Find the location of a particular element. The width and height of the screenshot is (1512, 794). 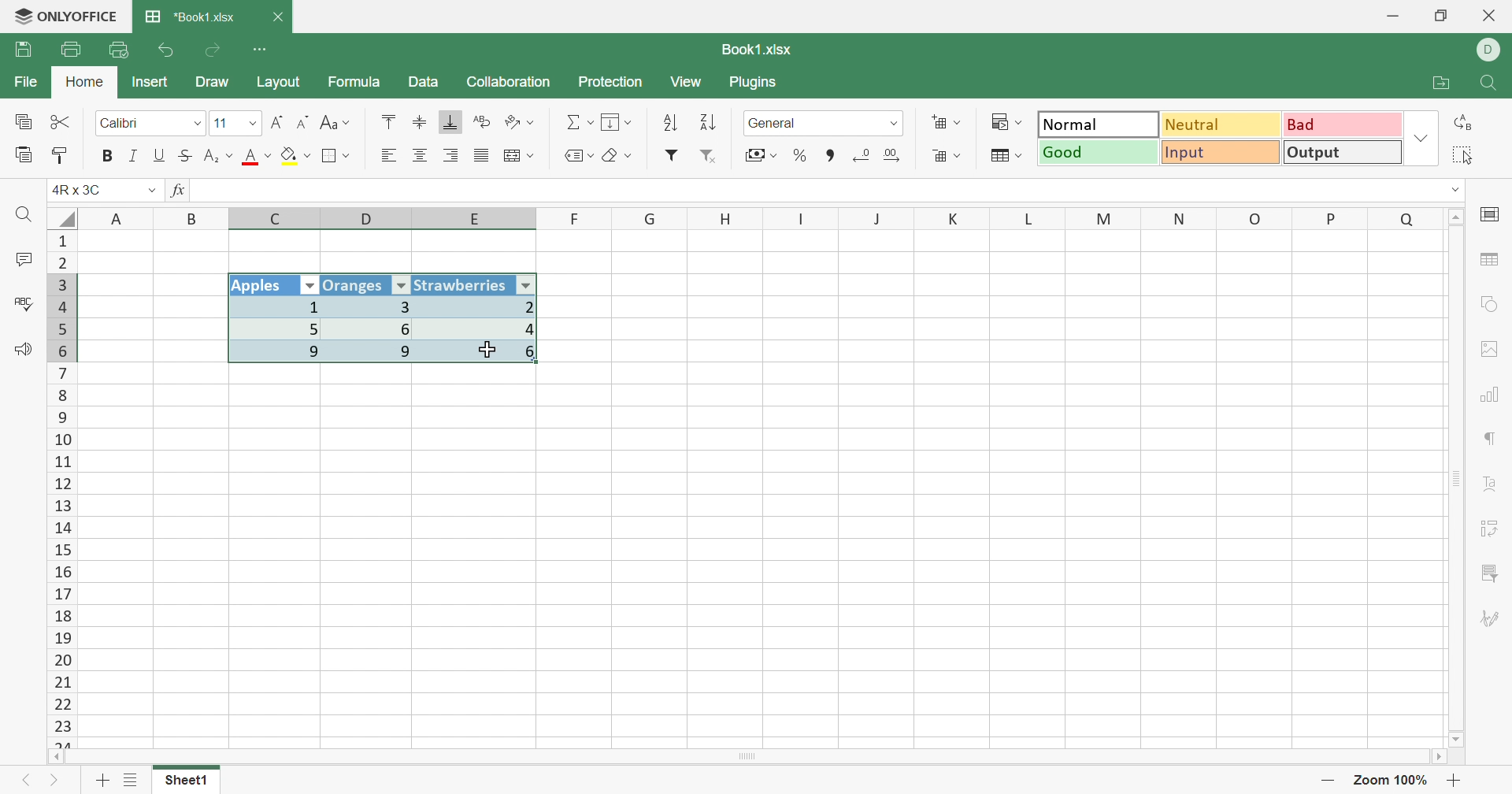

Open file location is located at coordinates (1445, 83).